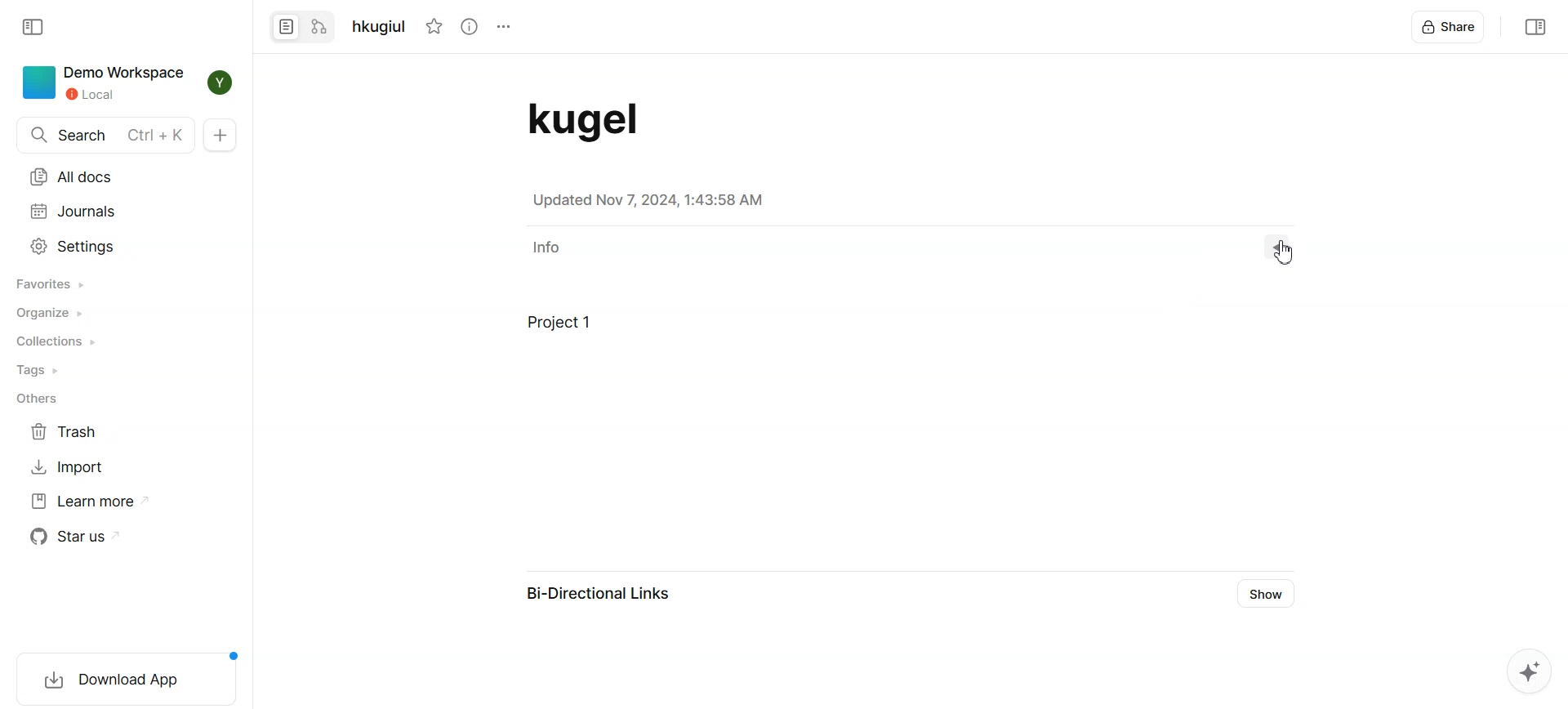 The height and width of the screenshot is (709, 1568). I want to click on All docs, so click(74, 176).